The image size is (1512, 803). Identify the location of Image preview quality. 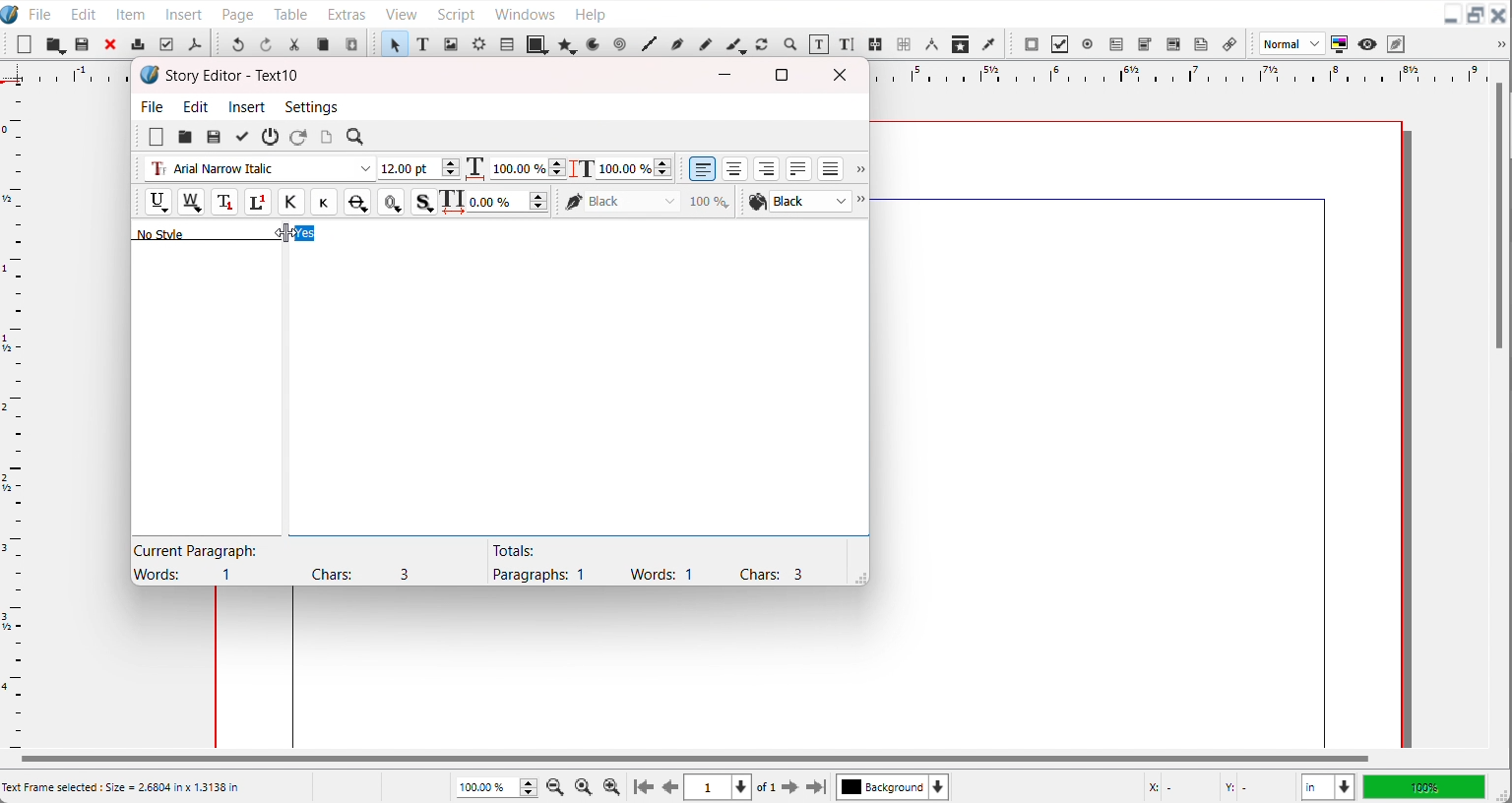
(1292, 43).